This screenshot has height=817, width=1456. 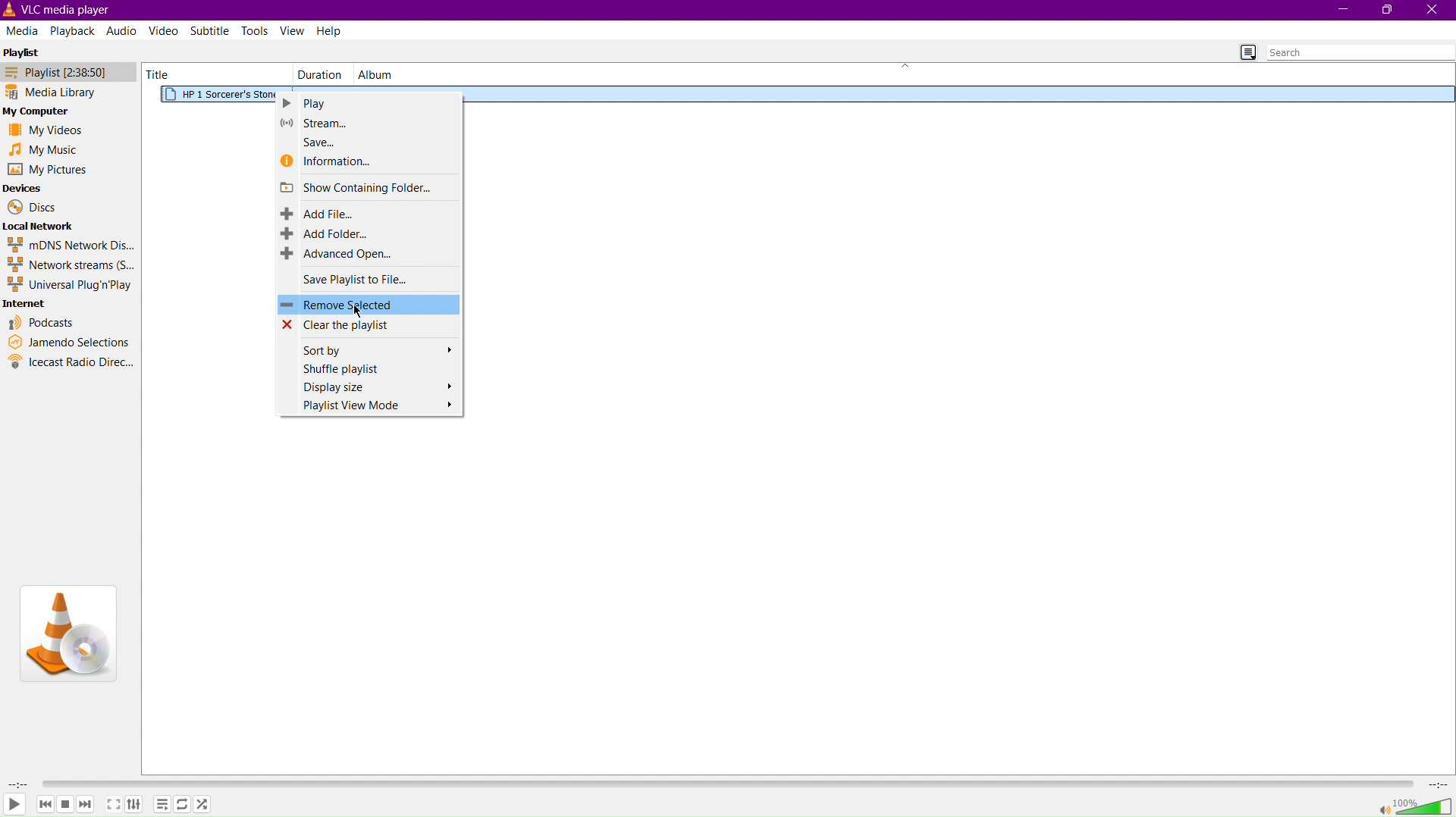 I want to click on Media Library, so click(x=70, y=91).